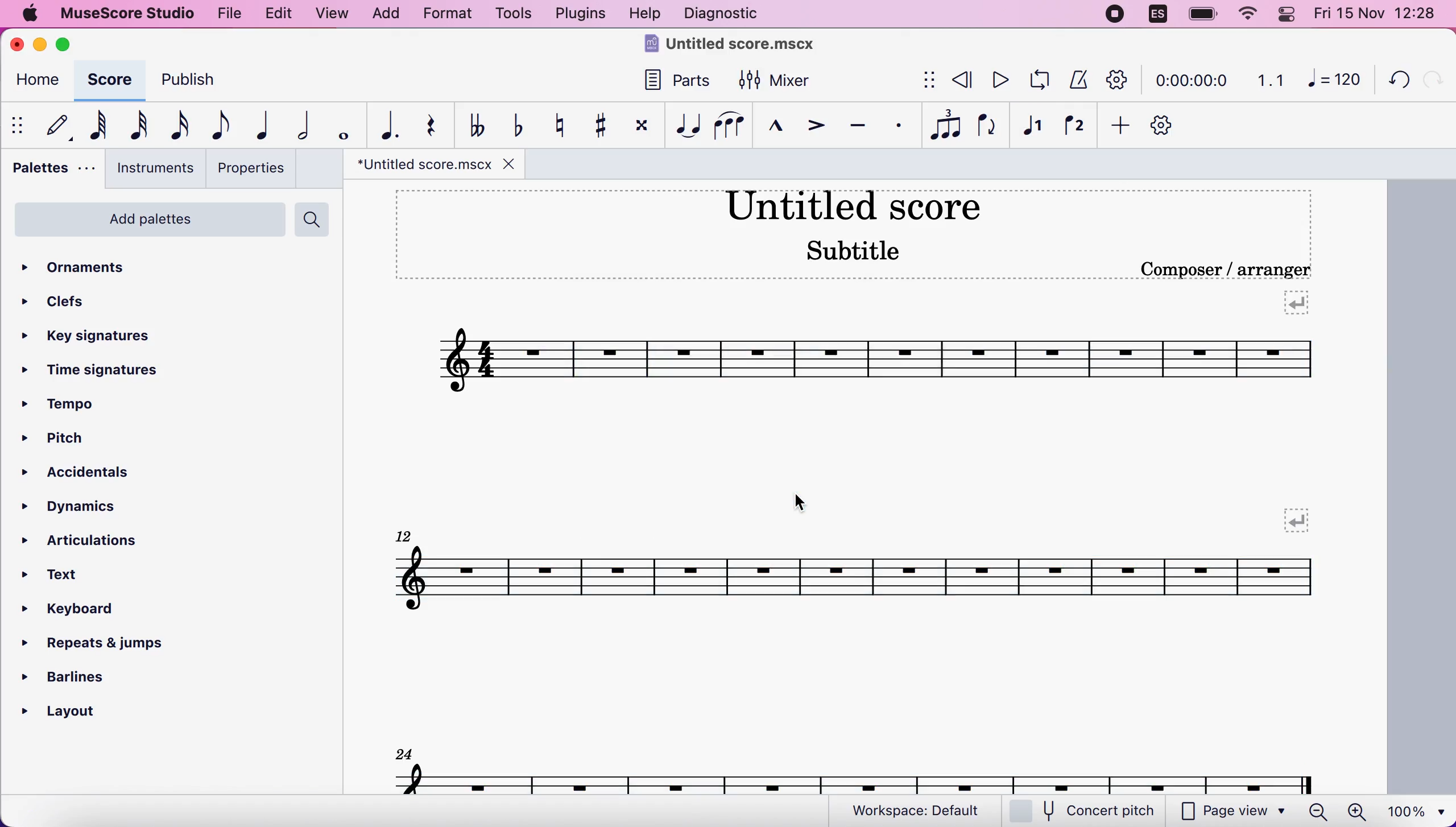  Describe the element at coordinates (315, 220) in the screenshot. I see `search` at that location.